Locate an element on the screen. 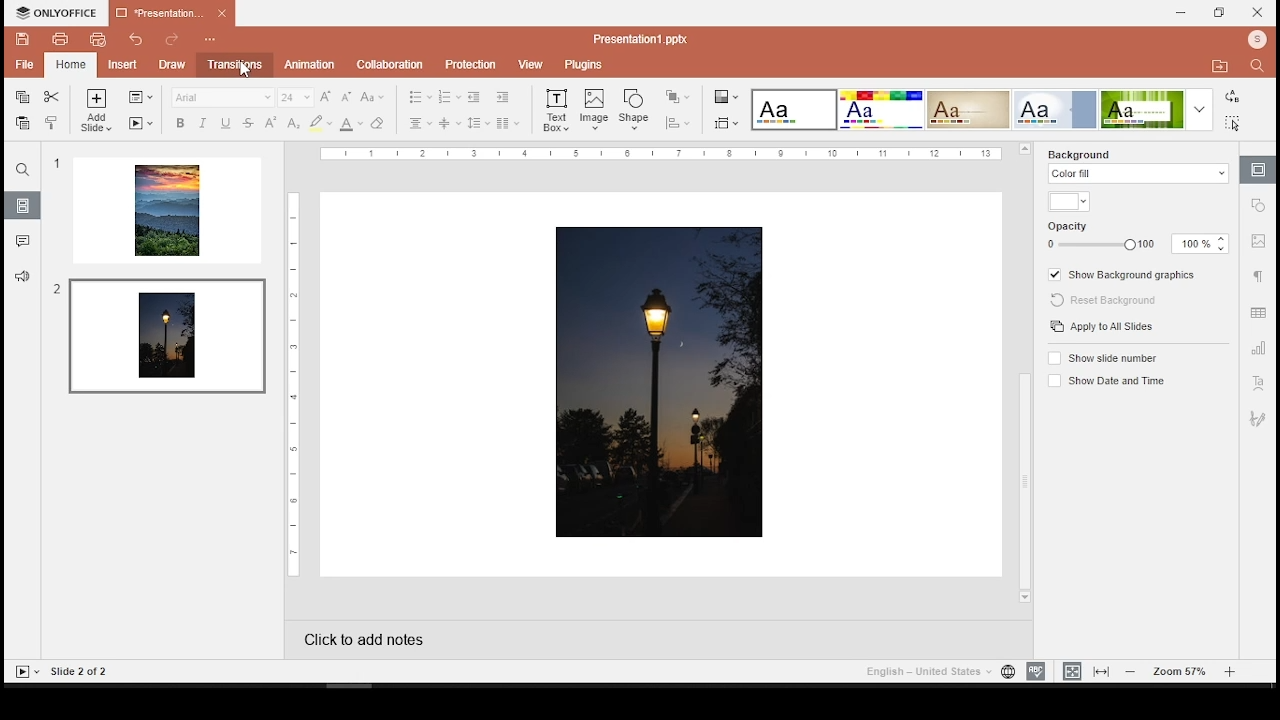 The image size is (1280, 720). play is located at coordinates (27, 672).